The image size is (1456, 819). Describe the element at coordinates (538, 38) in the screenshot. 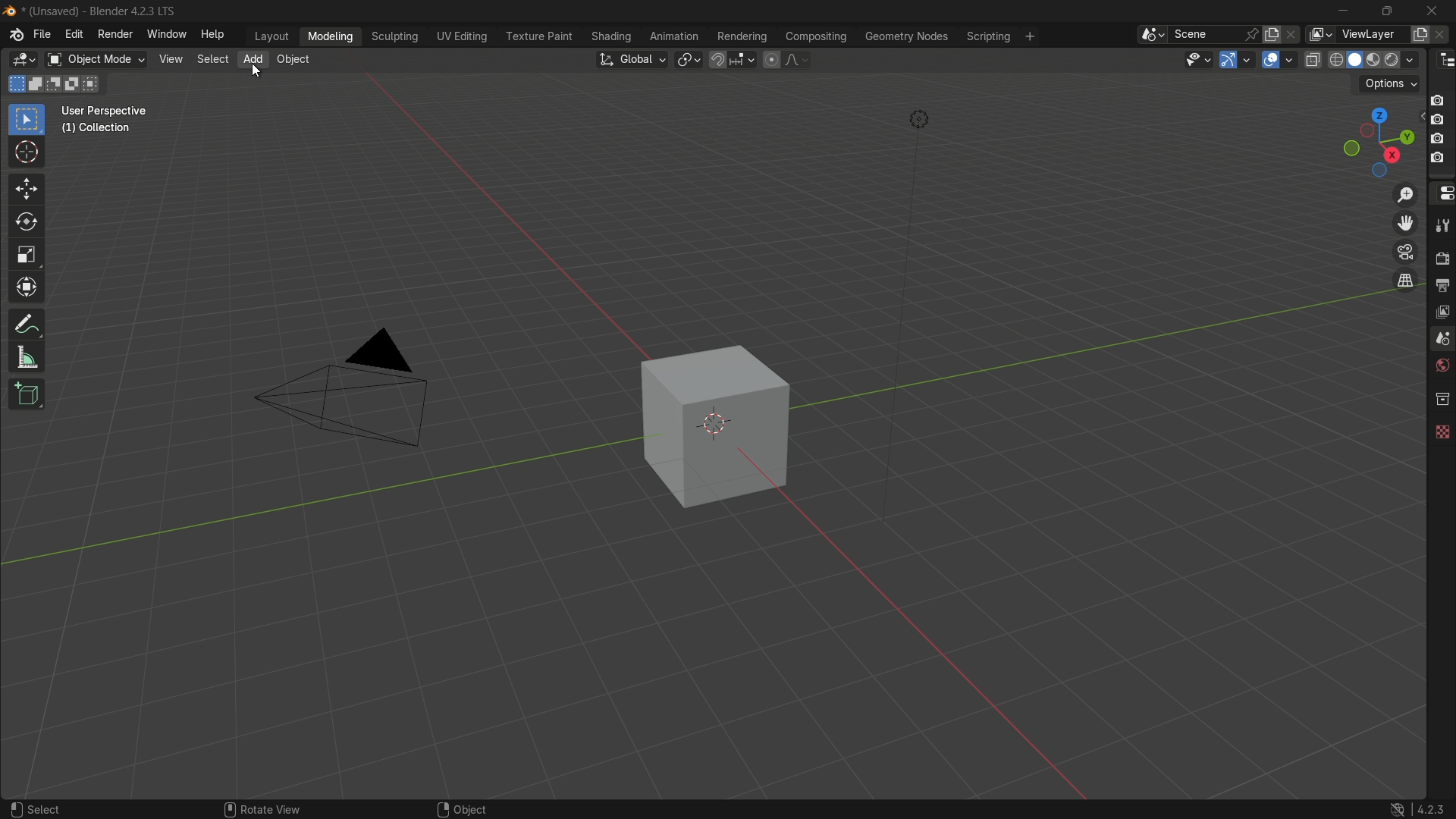

I see `texture paint menu` at that location.